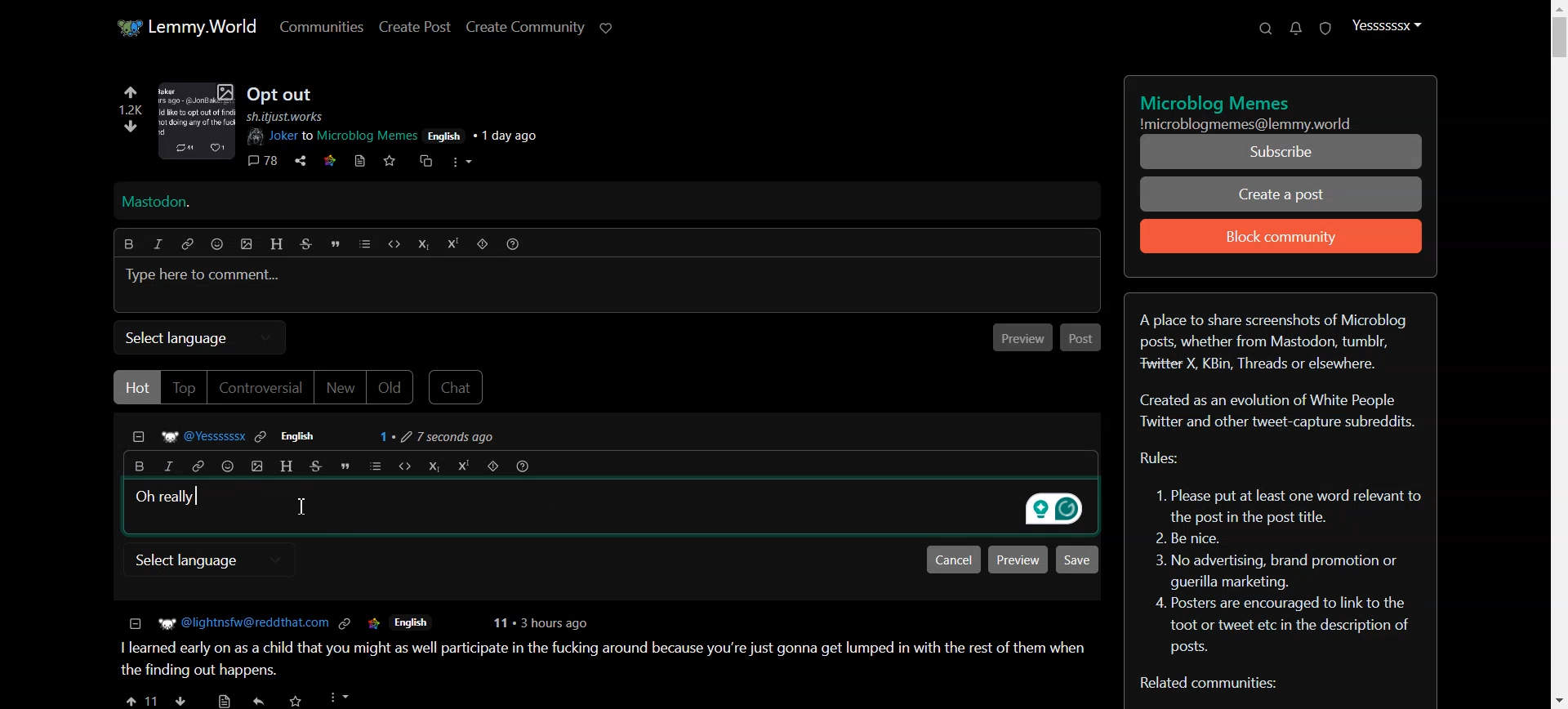 The height and width of the screenshot is (709, 1568). What do you see at coordinates (402, 466) in the screenshot?
I see `Code` at bounding box center [402, 466].